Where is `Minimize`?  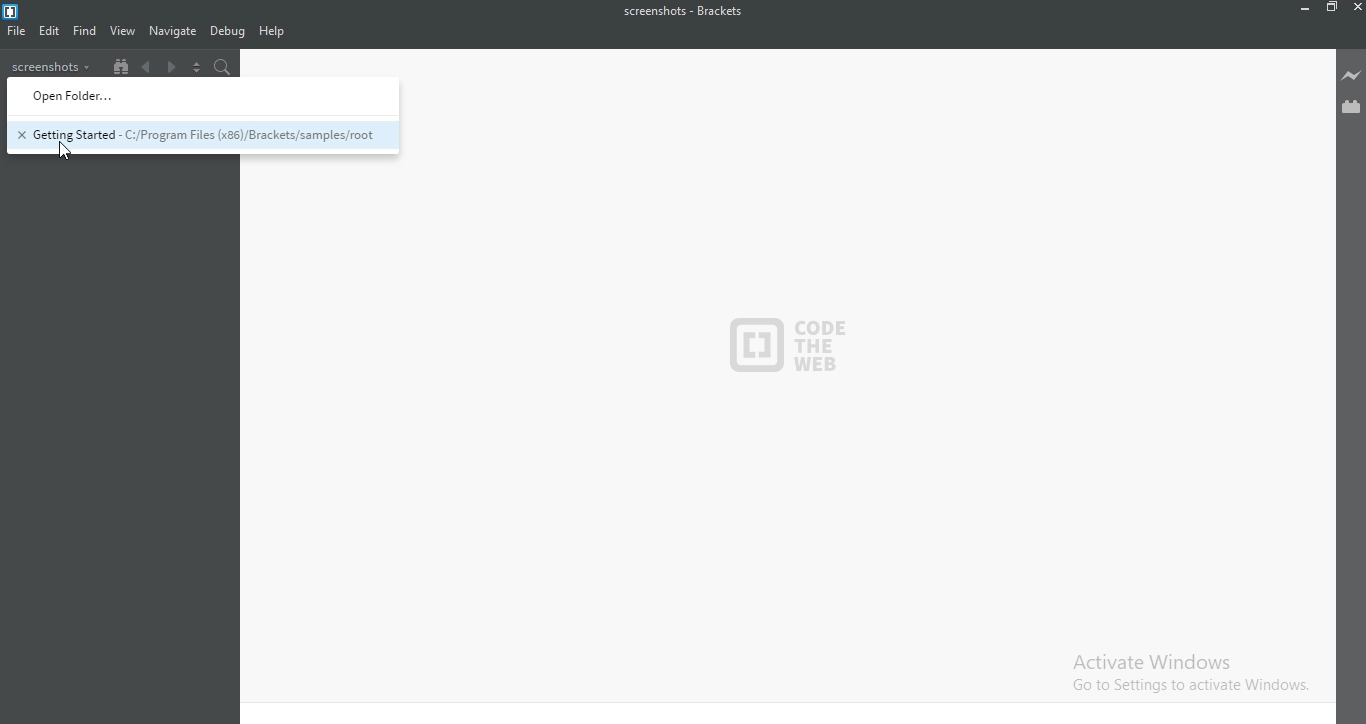 Minimize is located at coordinates (1304, 8).